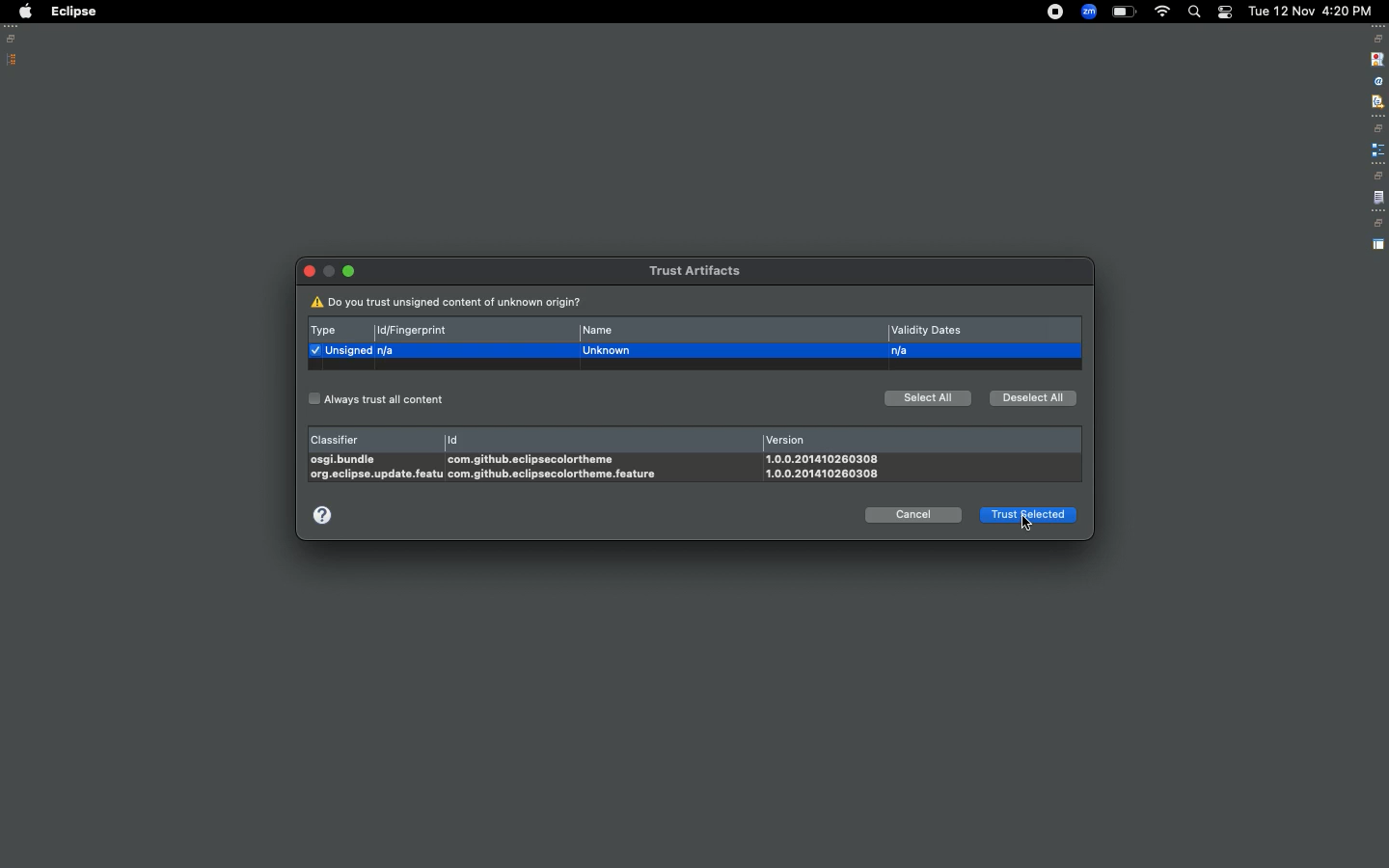  Describe the element at coordinates (819, 454) in the screenshot. I see `Version` at that location.